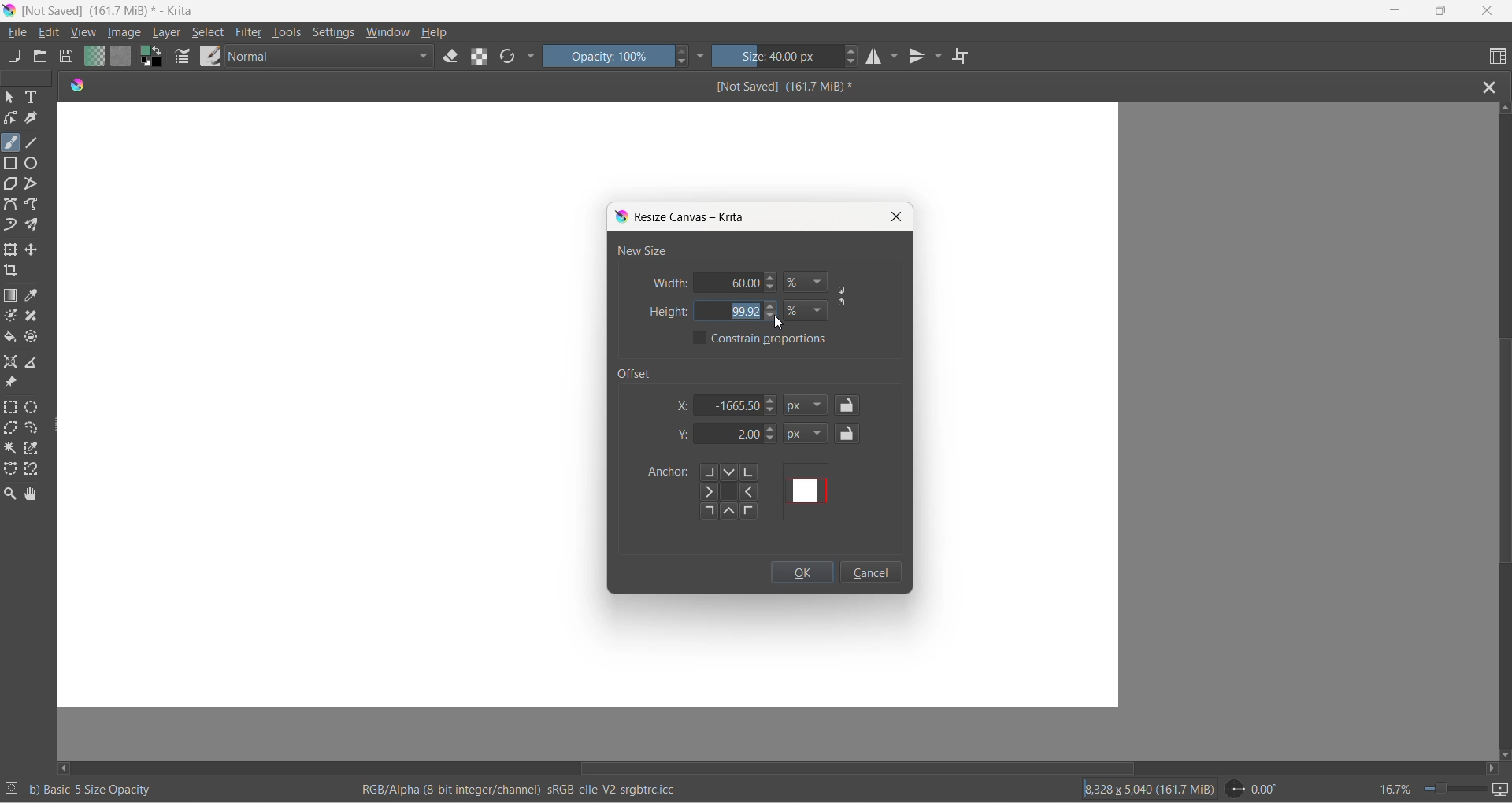 This screenshot has height=803, width=1512. I want to click on ok, so click(802, 575).